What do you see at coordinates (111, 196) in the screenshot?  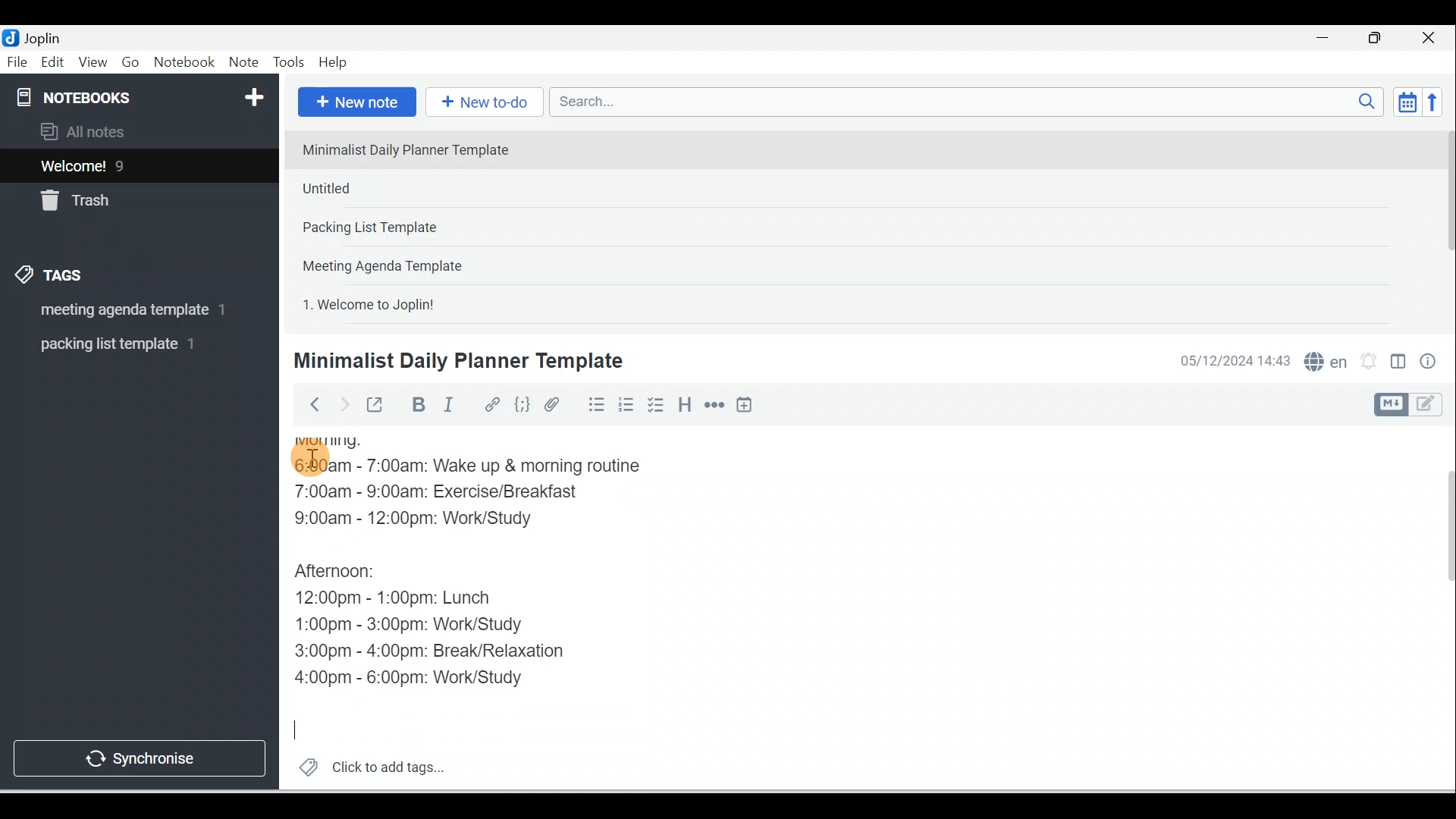 I see `Trash` at bounding box center [111, 196].